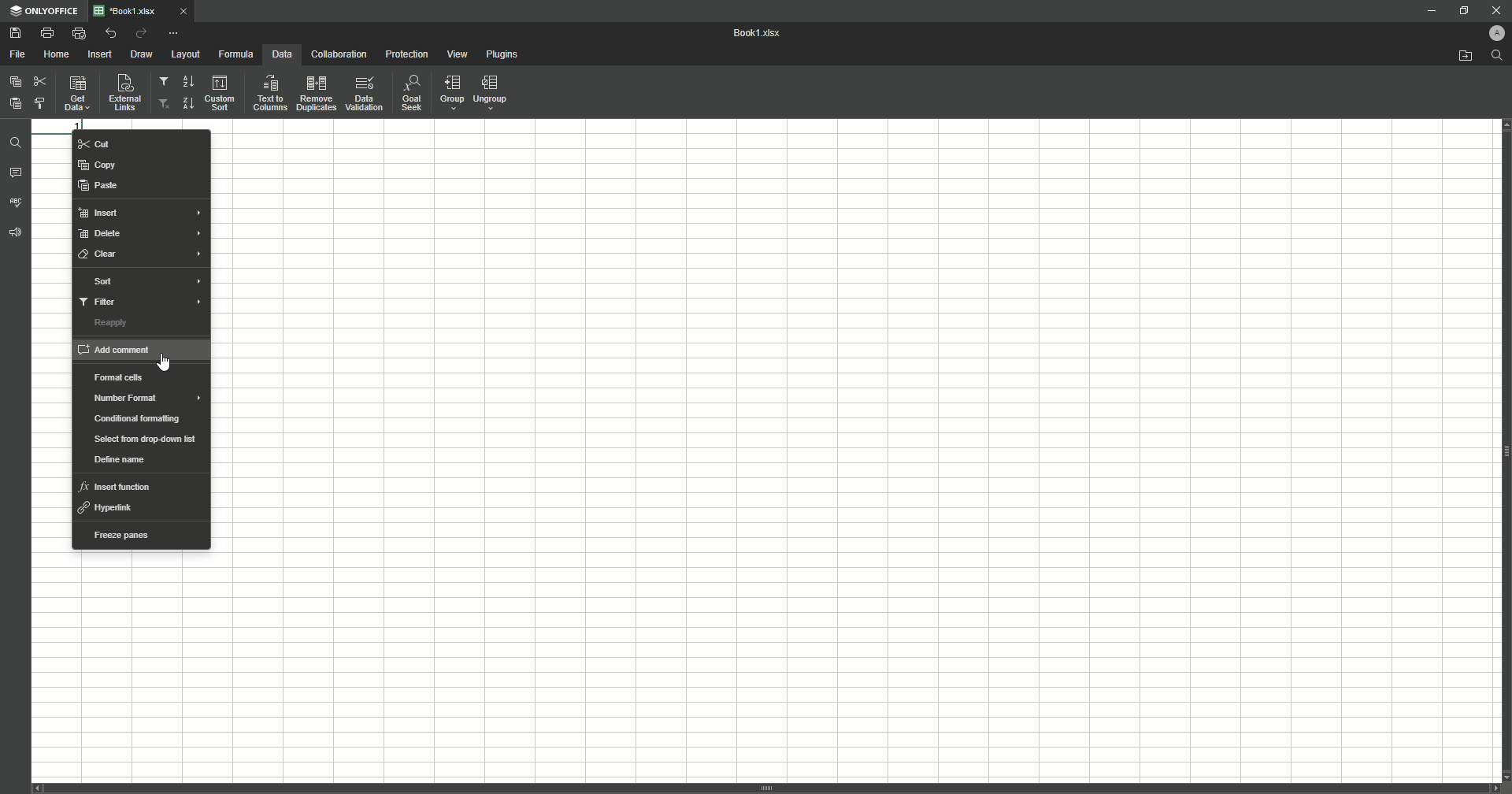  What do you see at coordinates (124, 399) in the screenshot?
I see `Number Format` at bounding box center [124, 399].